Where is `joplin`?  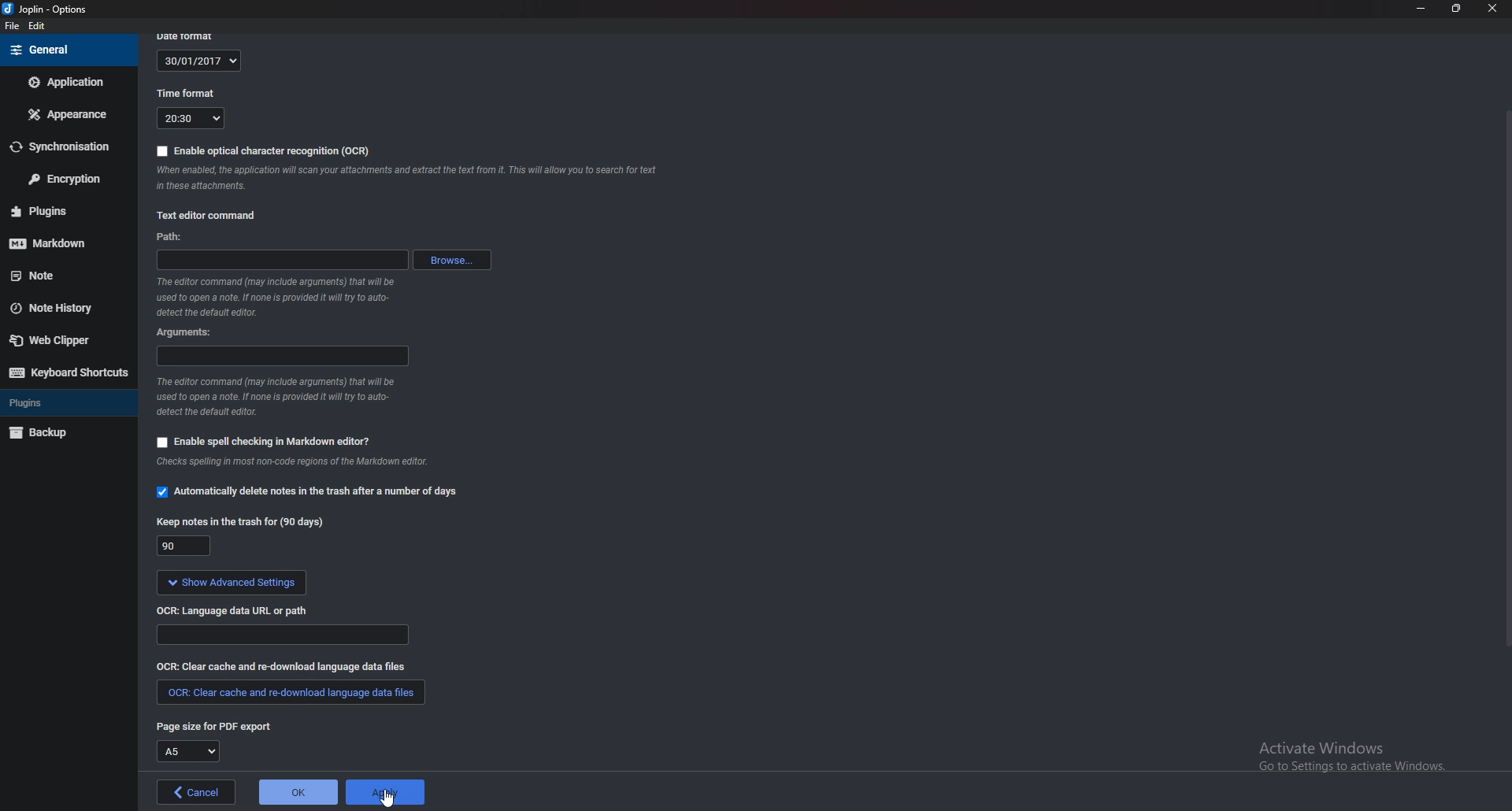
joplin is located at coordinates (51, 9).